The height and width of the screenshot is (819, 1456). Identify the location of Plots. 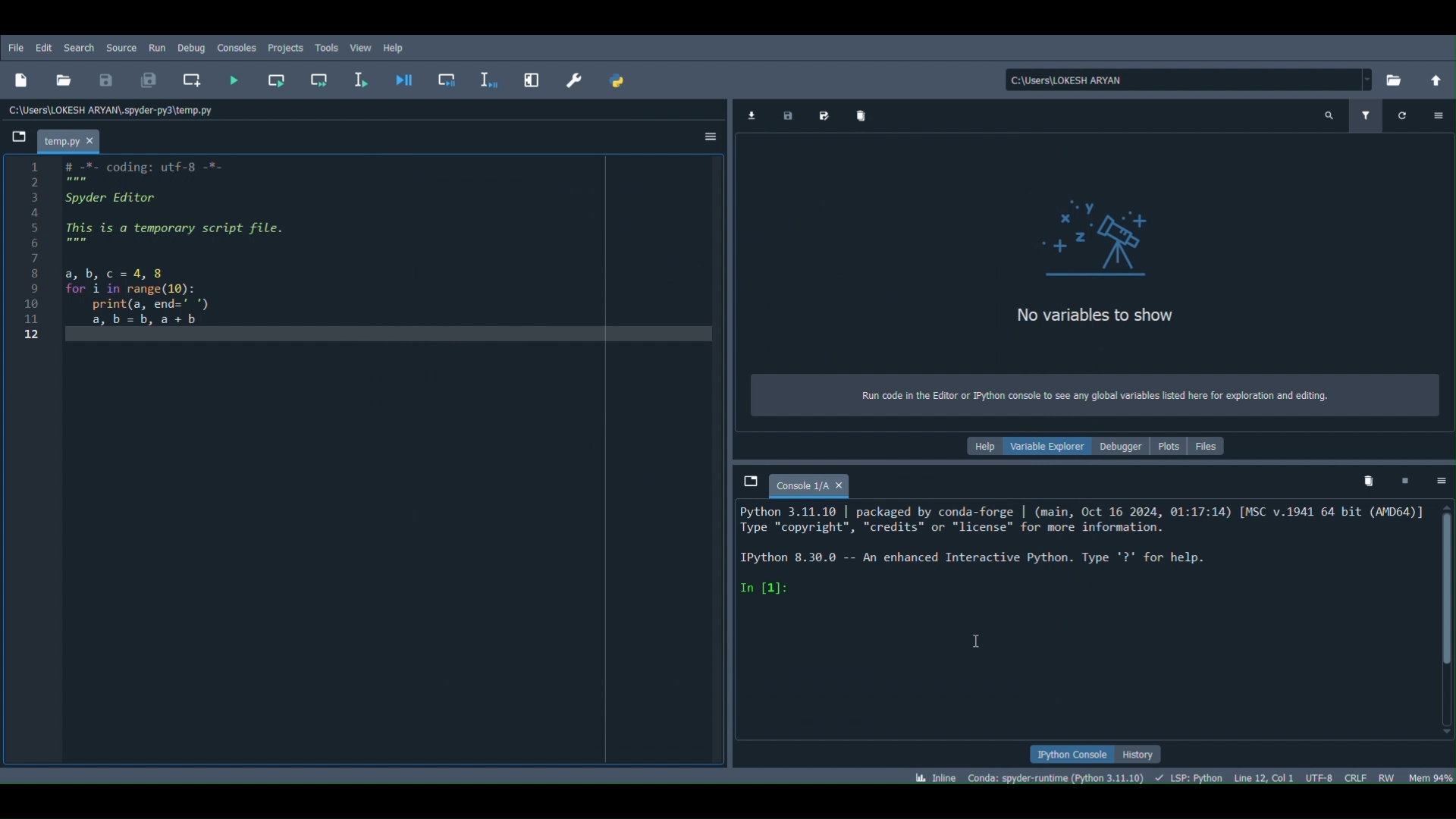
(1169, 447).